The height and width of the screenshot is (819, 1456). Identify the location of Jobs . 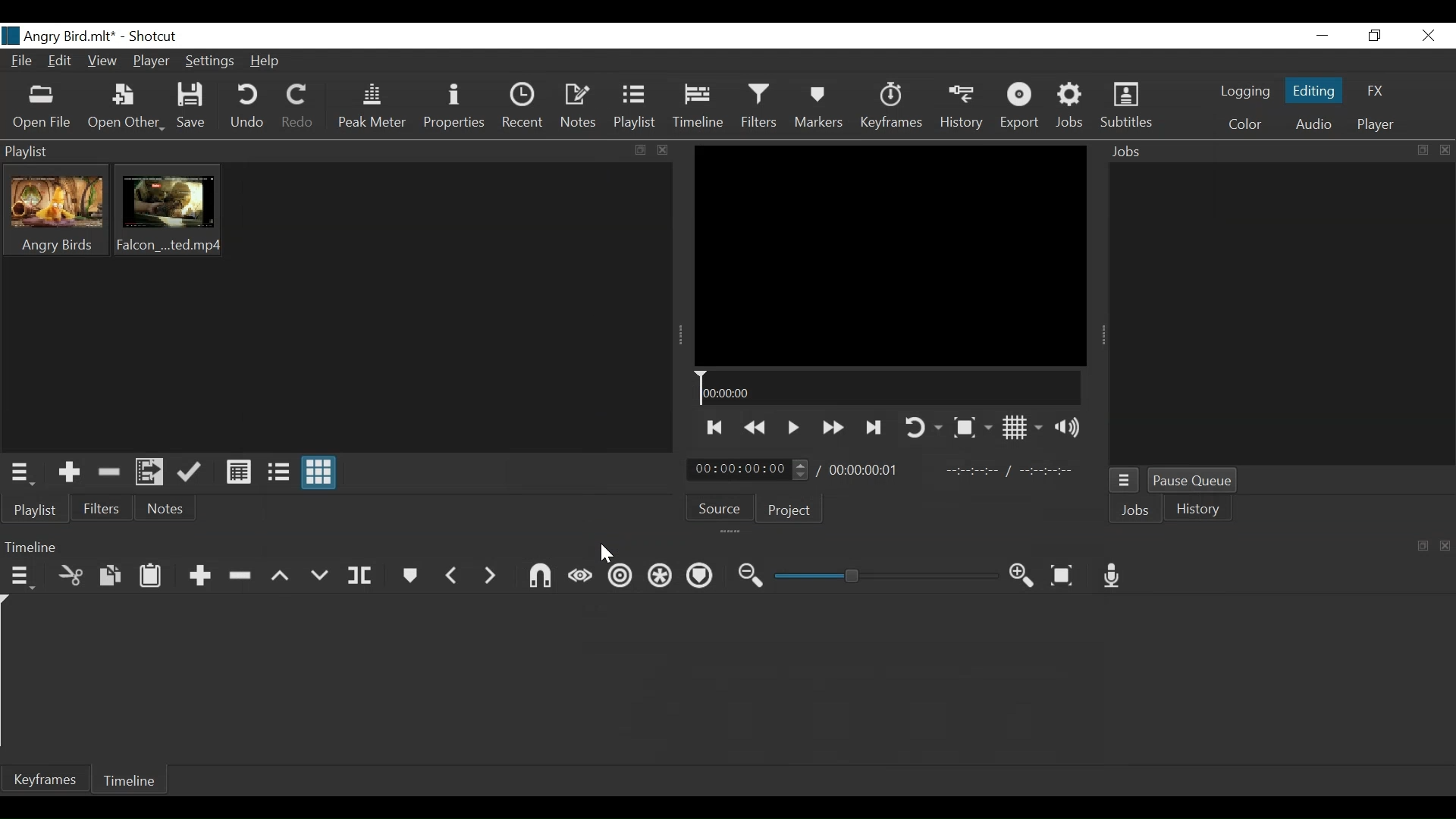
(1123, 480).